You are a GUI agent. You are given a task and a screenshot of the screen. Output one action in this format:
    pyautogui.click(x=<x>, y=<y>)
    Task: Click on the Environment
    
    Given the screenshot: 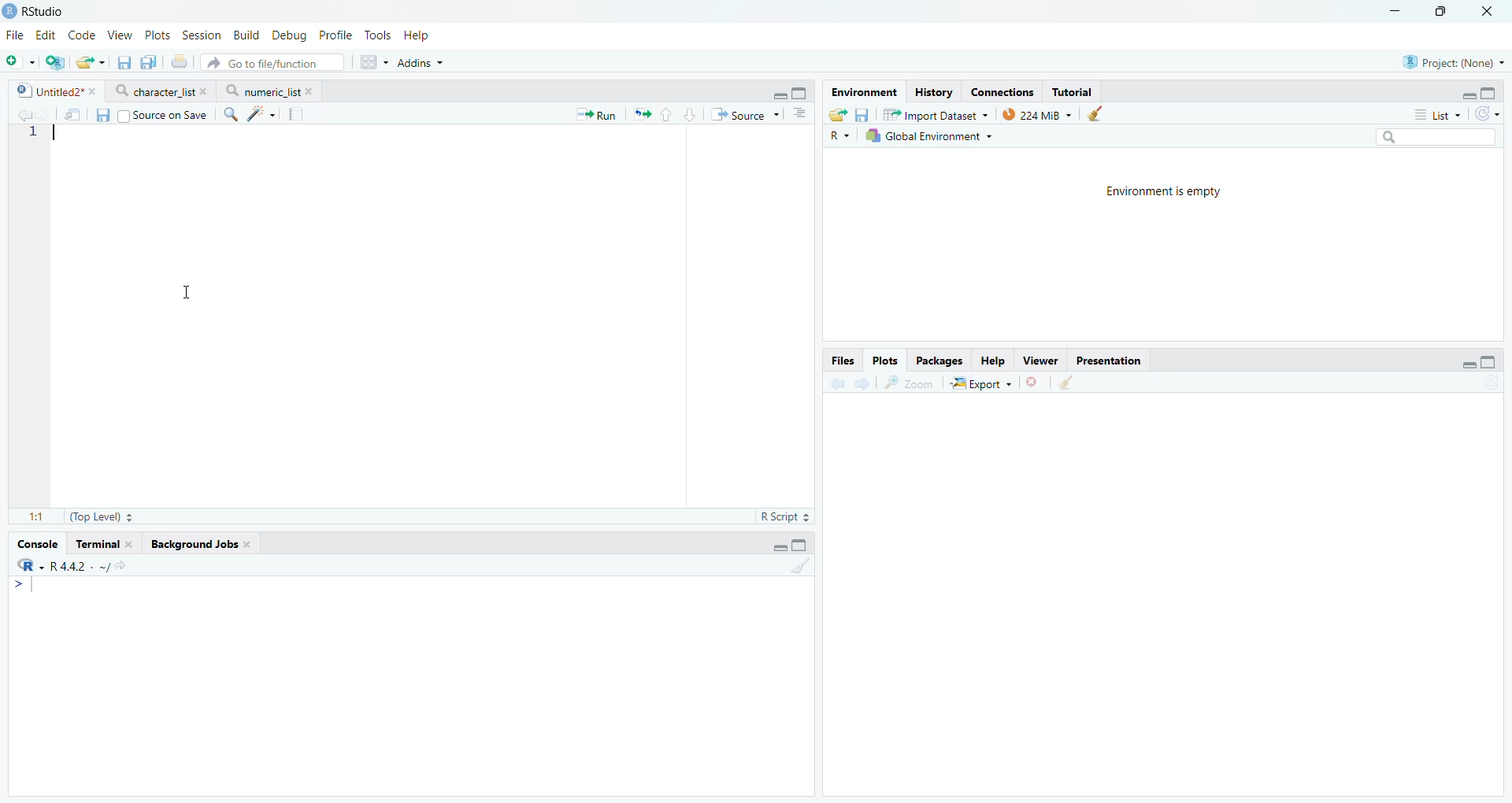 What is the action you would take?
    pyautogui.click(x=863, y=91)
    